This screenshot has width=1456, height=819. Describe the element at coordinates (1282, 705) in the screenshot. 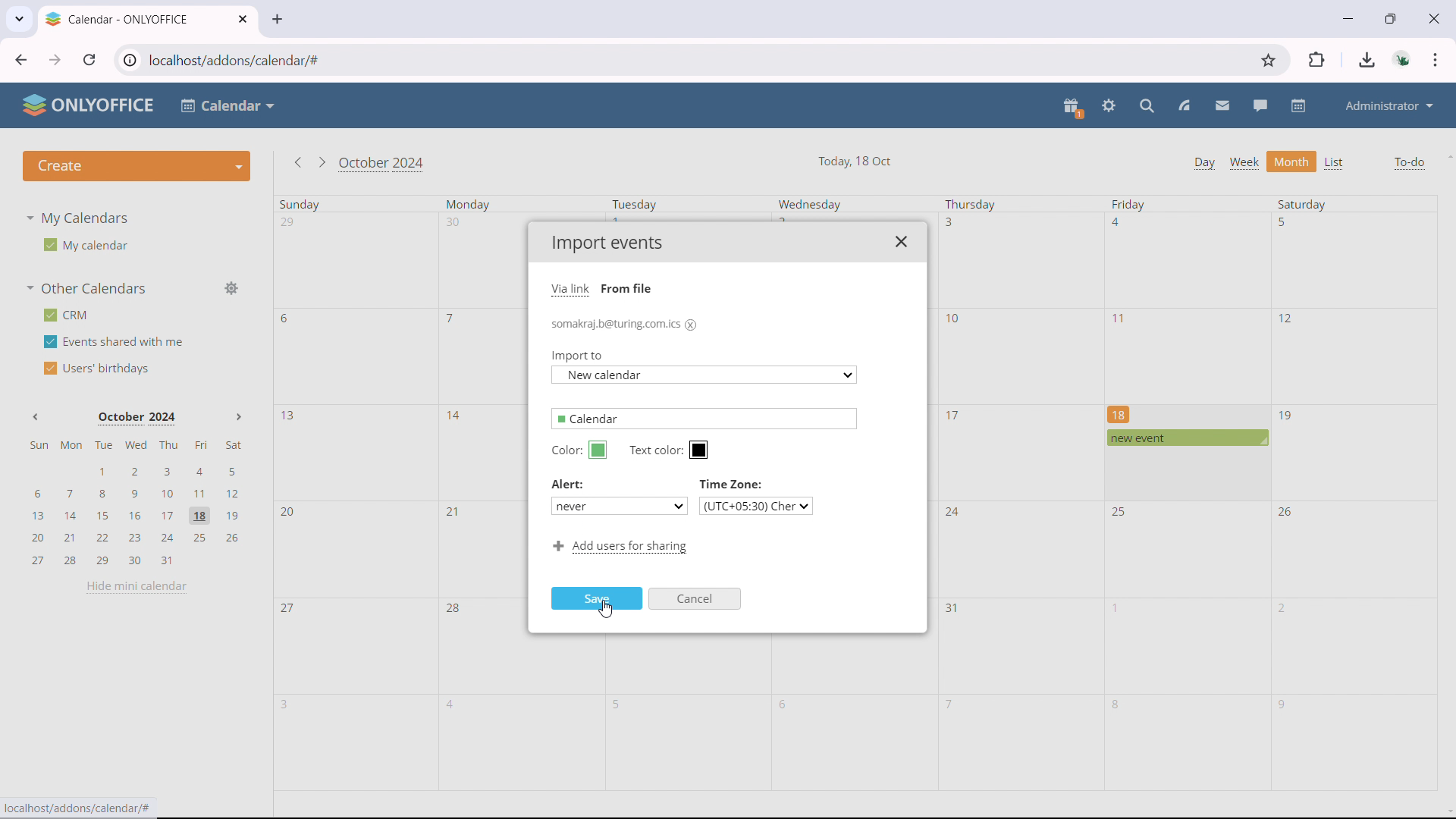

I see `9` at that location.